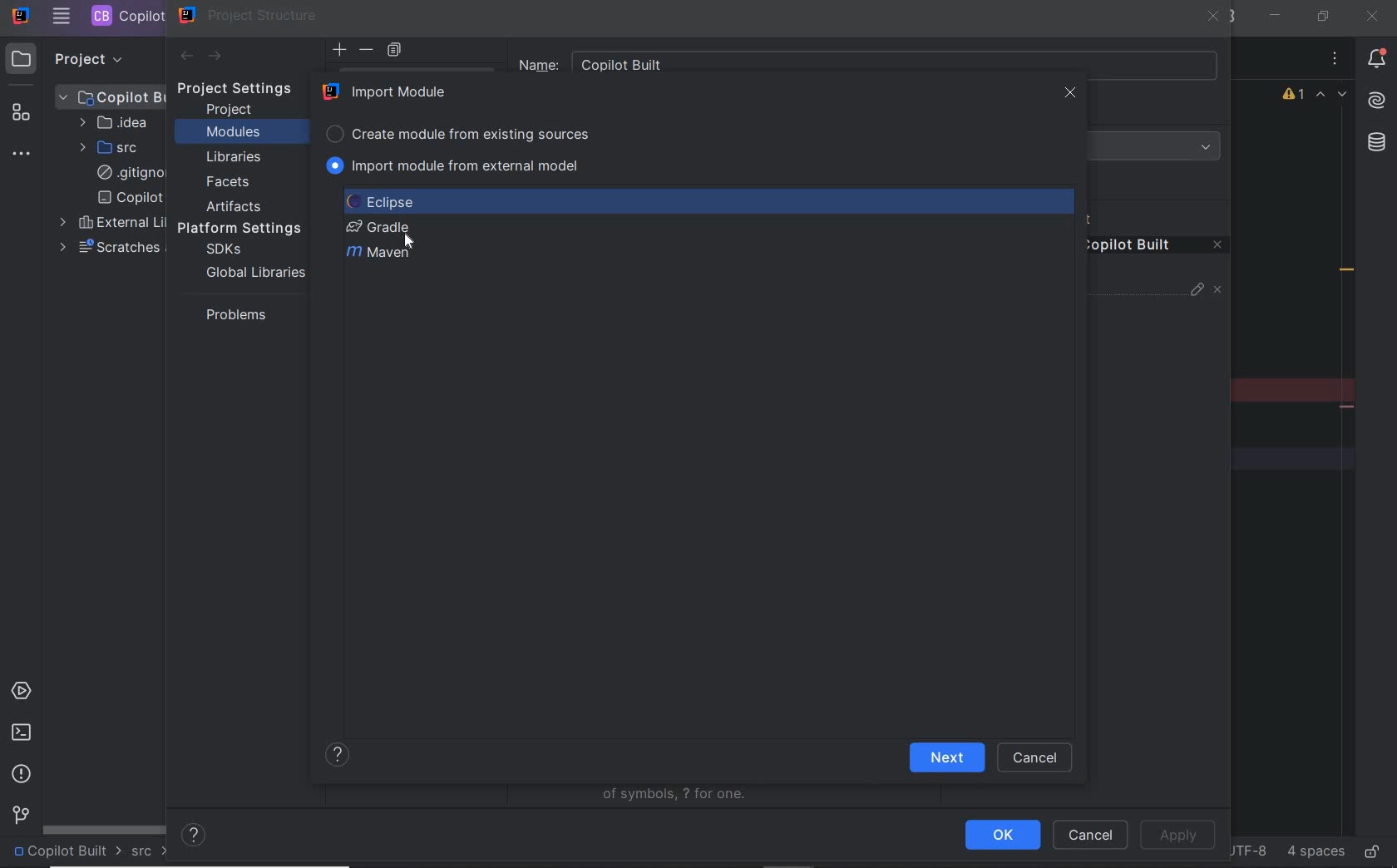  Describe the element at coordinates (74, 58) in the screenshot. I see `PROJECT` at that location.